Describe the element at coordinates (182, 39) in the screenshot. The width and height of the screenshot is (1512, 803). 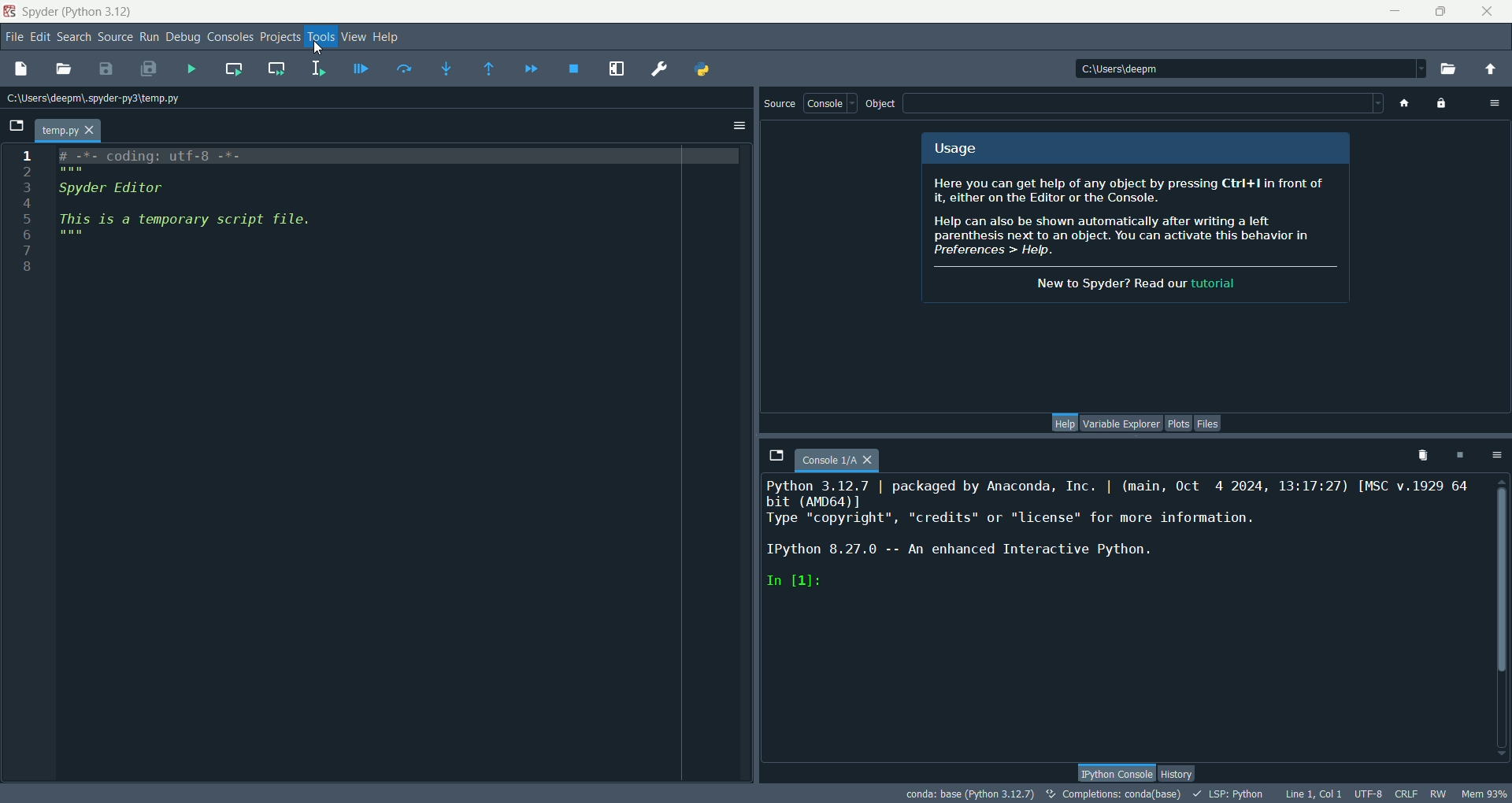
I see `debug` at that location.